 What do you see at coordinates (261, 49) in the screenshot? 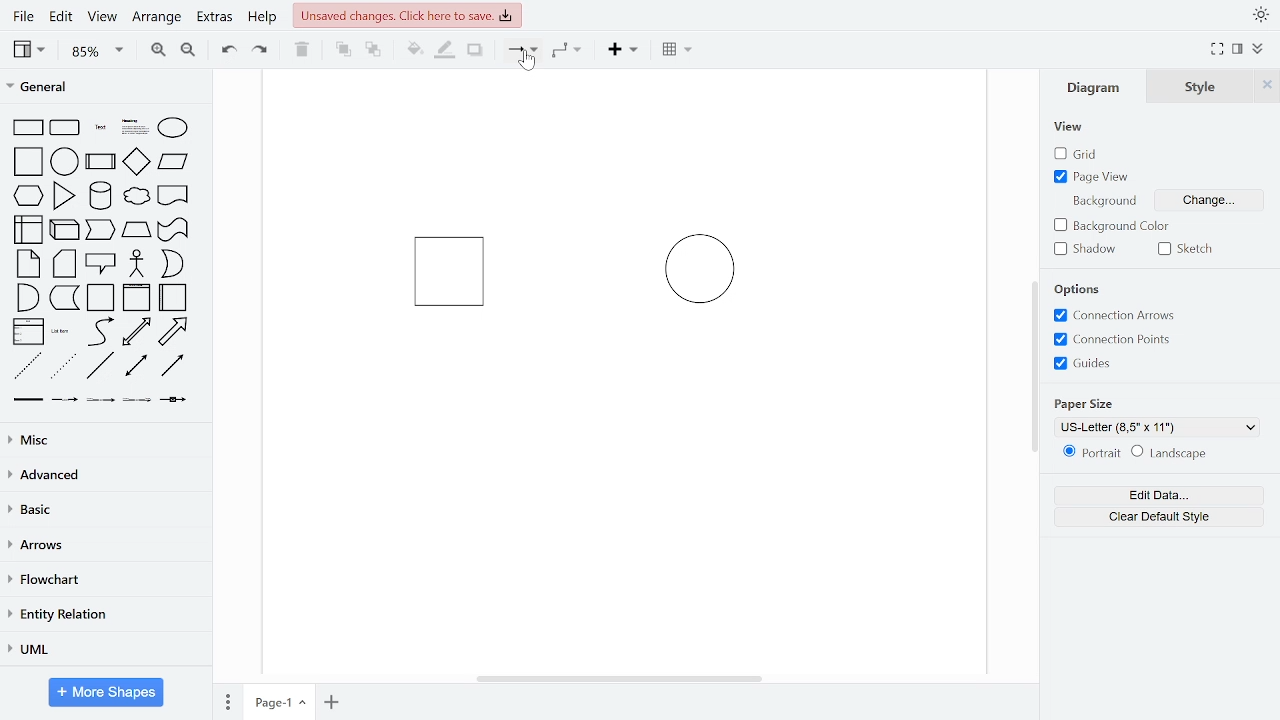
I see `redo` at bounding box center [261, 49].